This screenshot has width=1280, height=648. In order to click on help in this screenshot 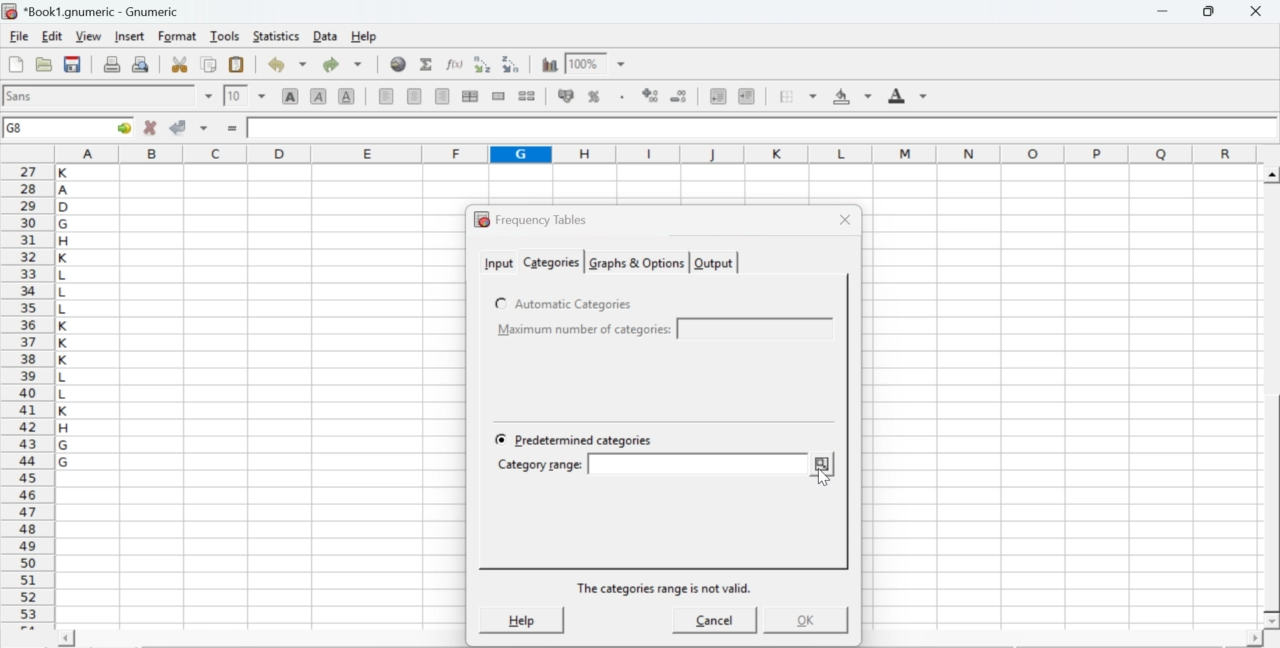, I will do `click(518, 620)`.